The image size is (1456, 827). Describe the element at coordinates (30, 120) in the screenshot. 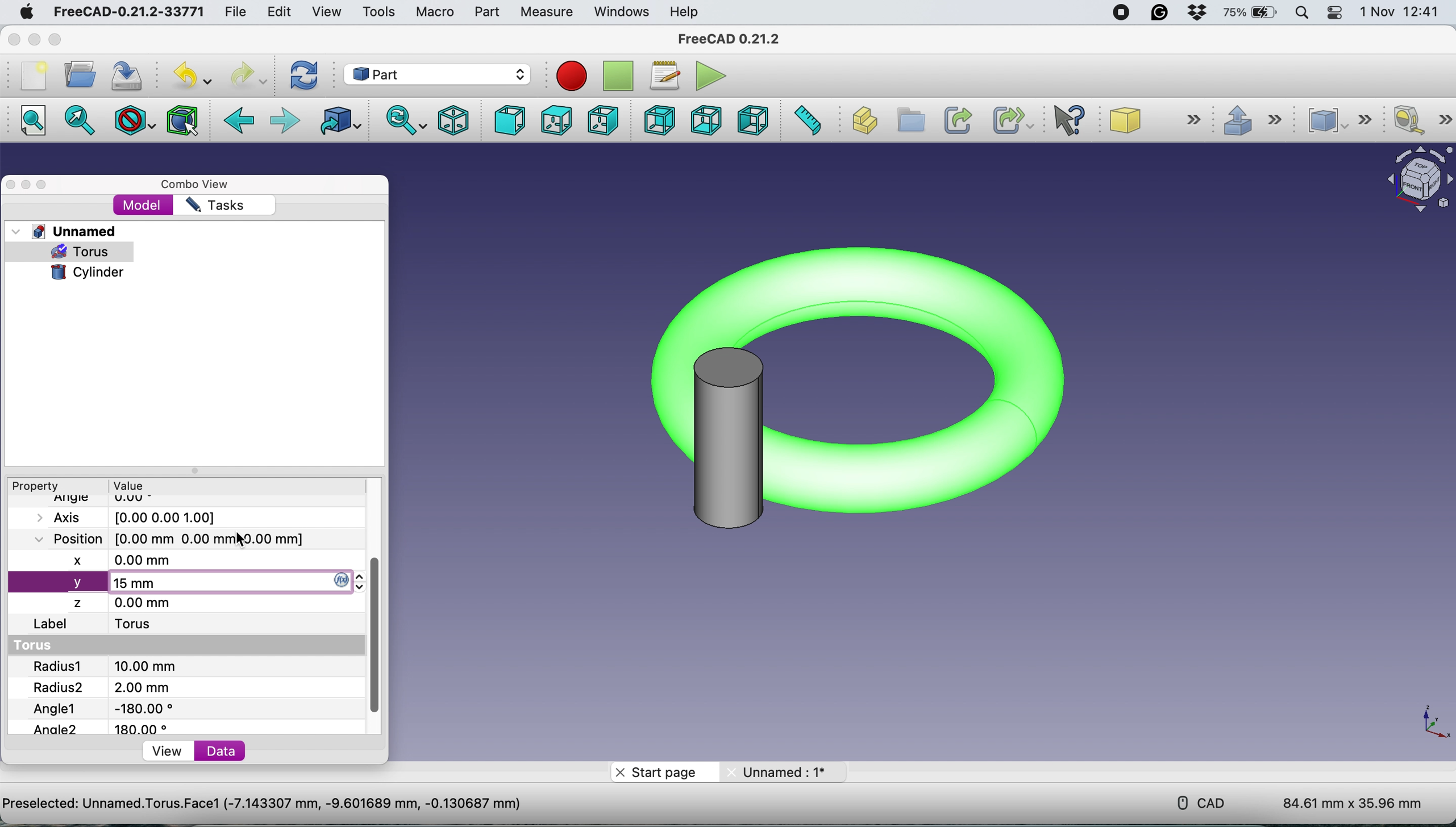

I see `fit all` at that location.